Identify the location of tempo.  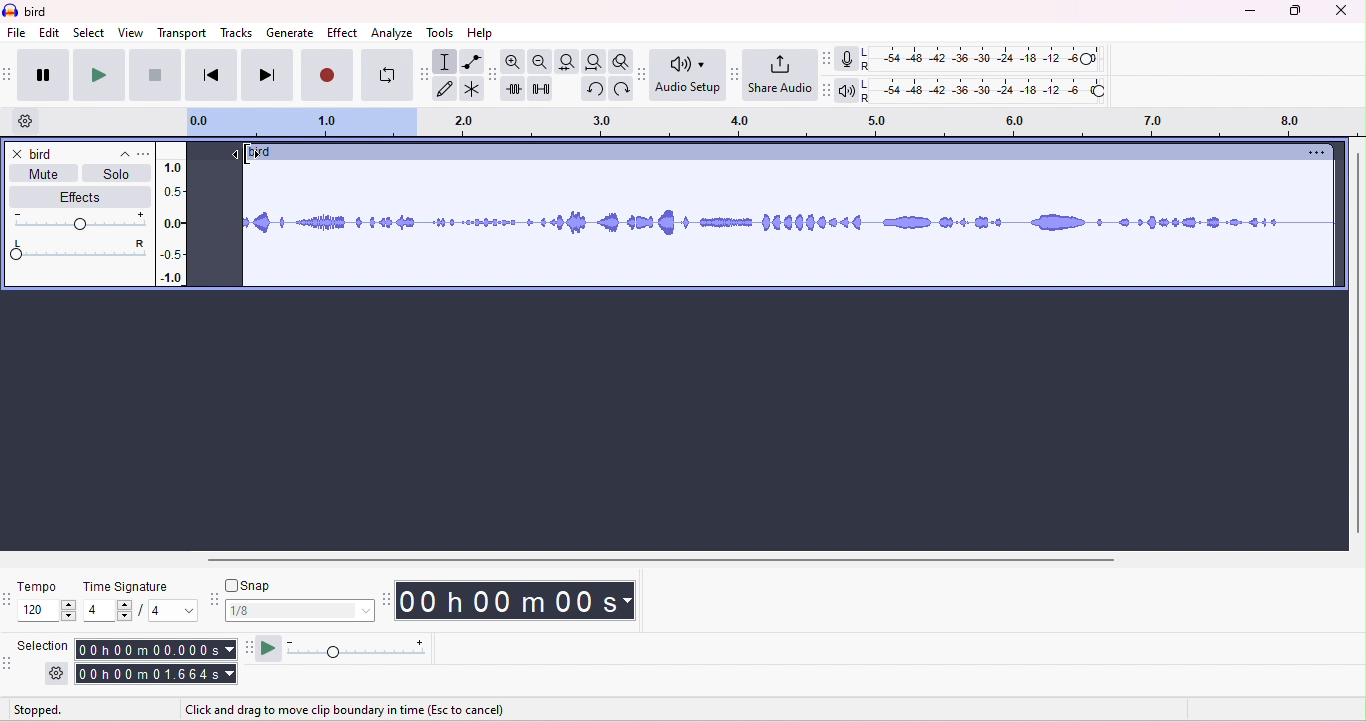
(39, 585).